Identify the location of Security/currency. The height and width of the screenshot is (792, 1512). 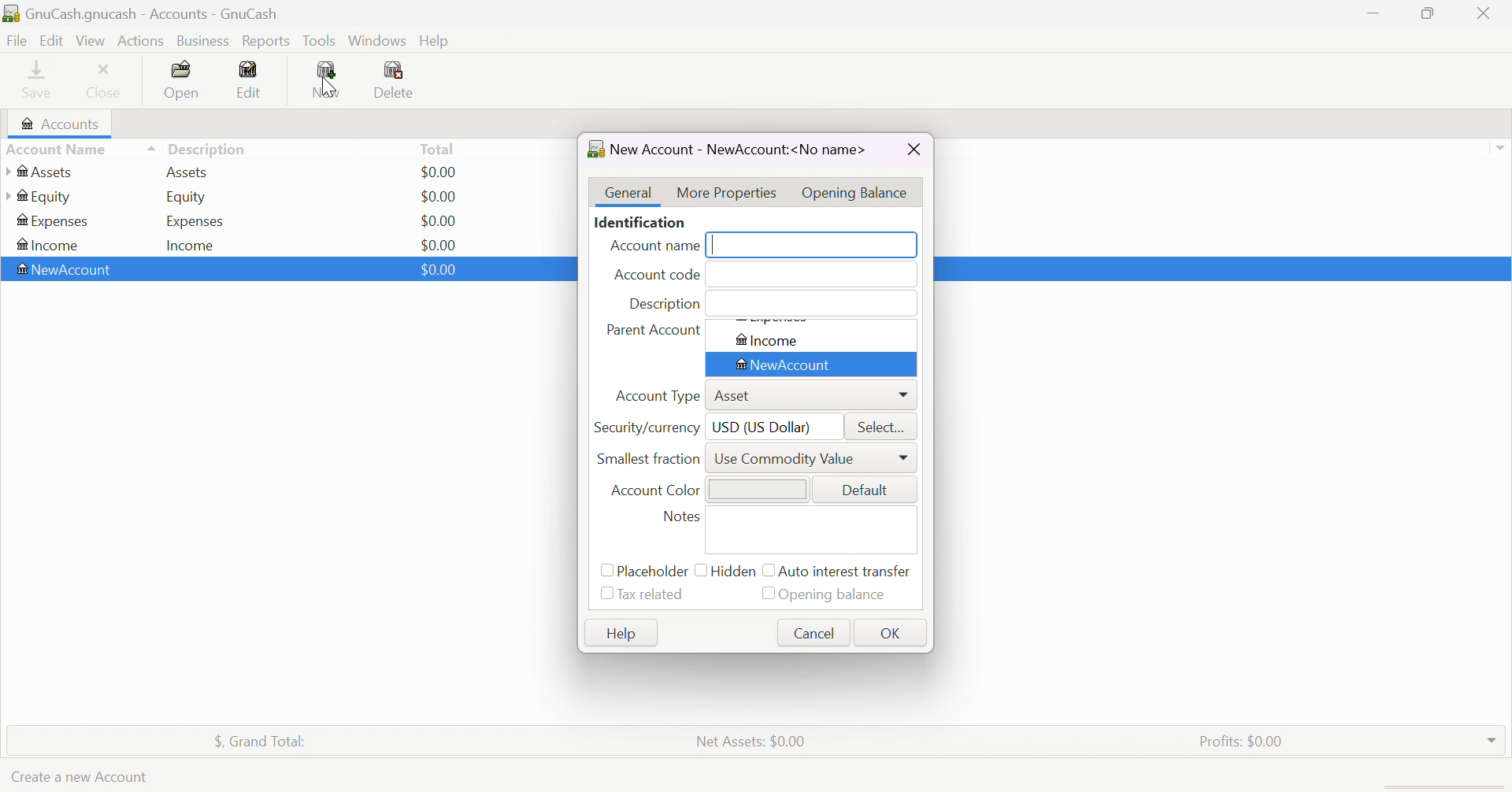
(646, 430).